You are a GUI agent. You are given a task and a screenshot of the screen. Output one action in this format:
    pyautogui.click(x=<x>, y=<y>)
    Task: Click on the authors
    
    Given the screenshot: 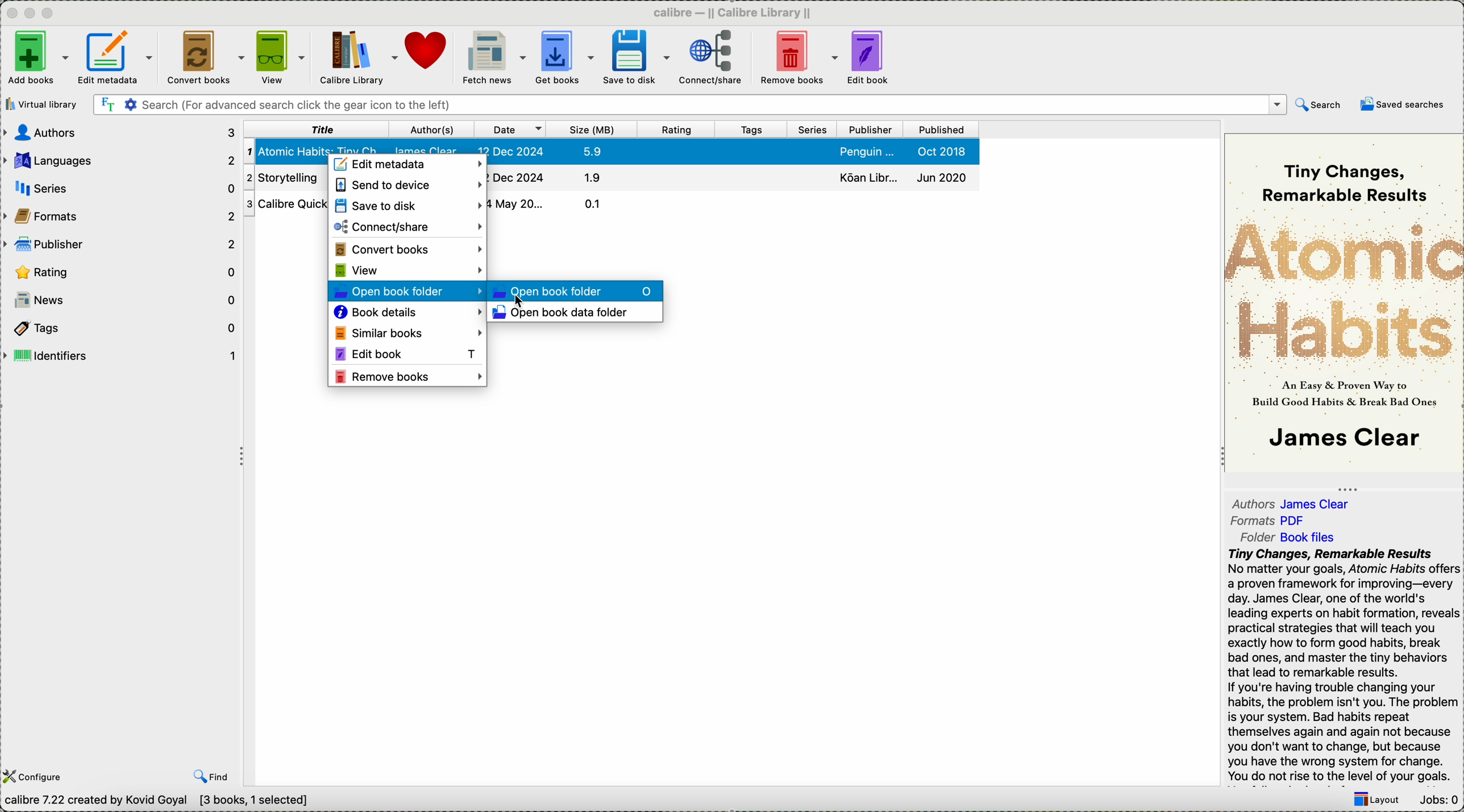 What is the action you would take?
    pyautogui.click(x=121, y=132)
    